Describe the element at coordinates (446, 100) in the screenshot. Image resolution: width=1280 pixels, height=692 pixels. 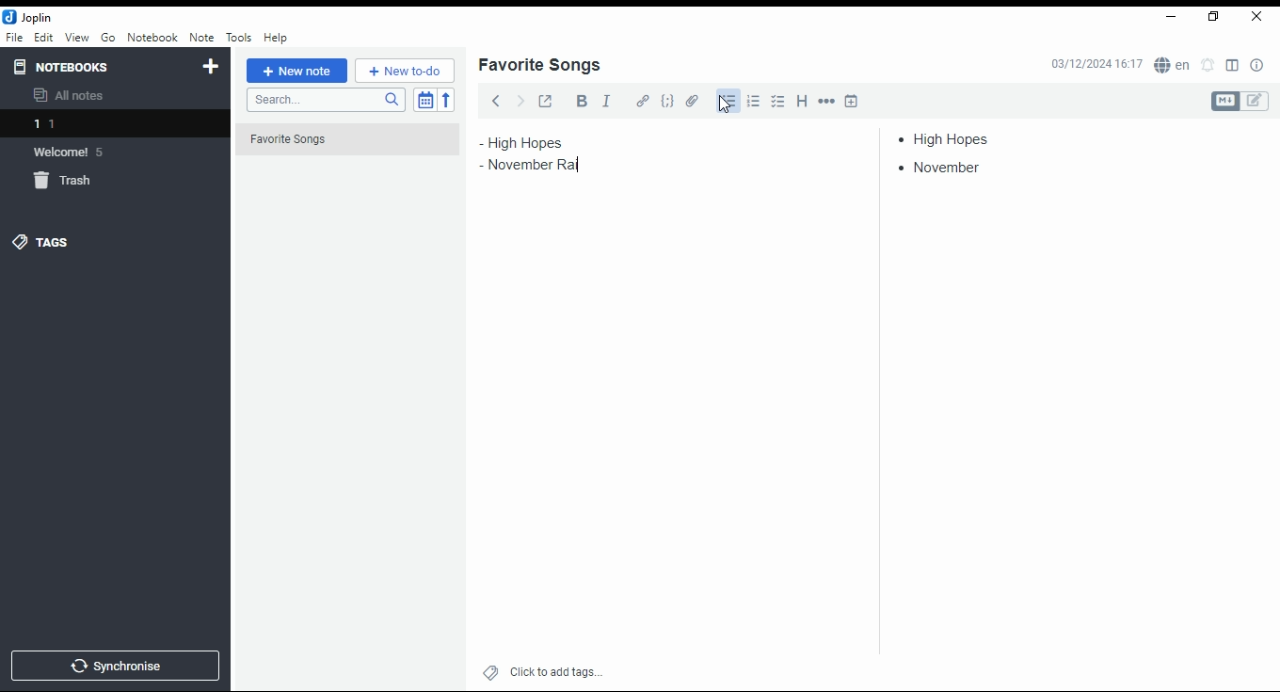
I see `reverse sort order` at that location.